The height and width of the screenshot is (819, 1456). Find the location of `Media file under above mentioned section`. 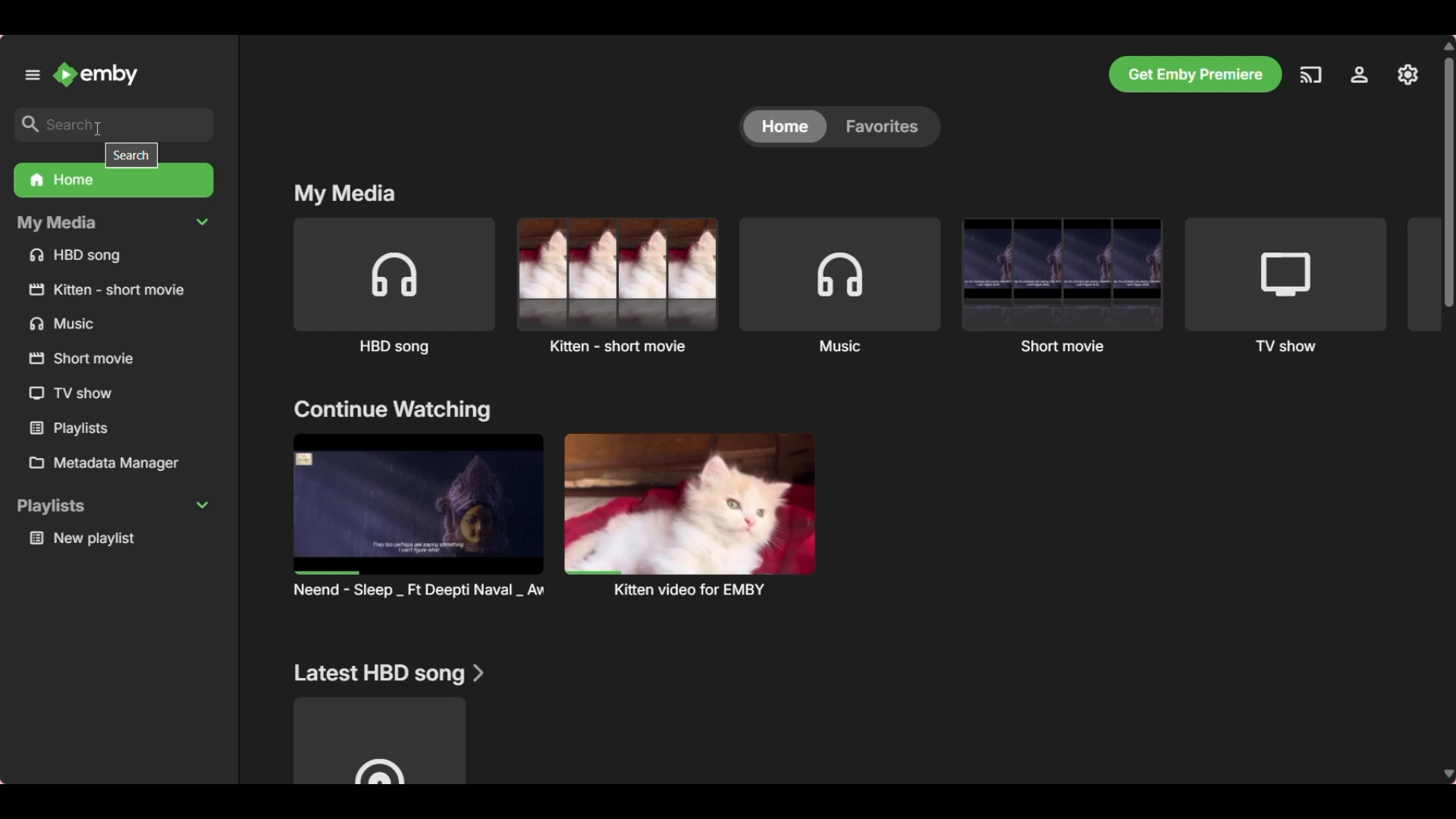

Media file under above mentioned section is located at coordinates (379, 741).